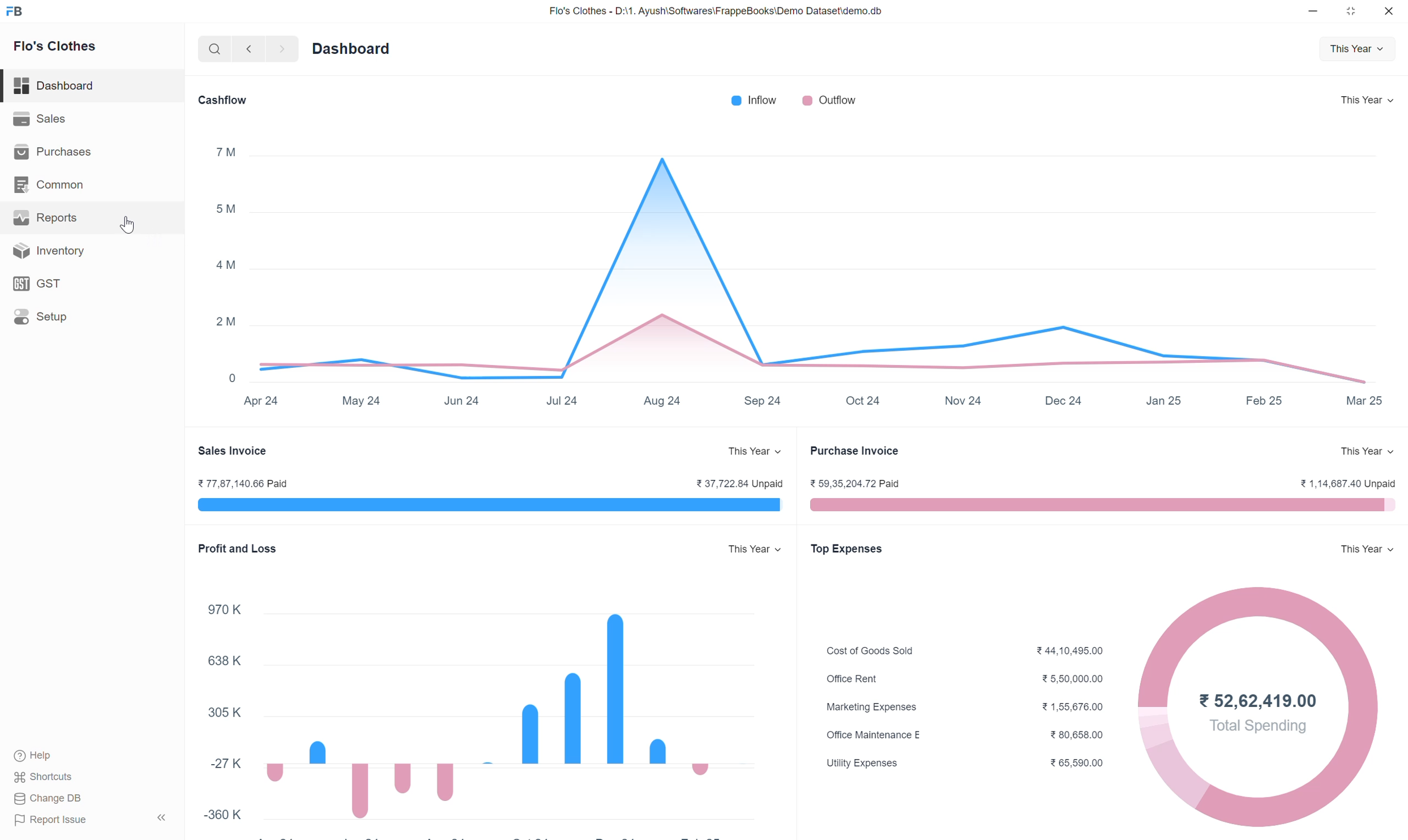 The image size is (1408, 840). What do you see at coordinates (45, 755) in the screenshot?
I see ` Help` at bounding box center [45, 755].